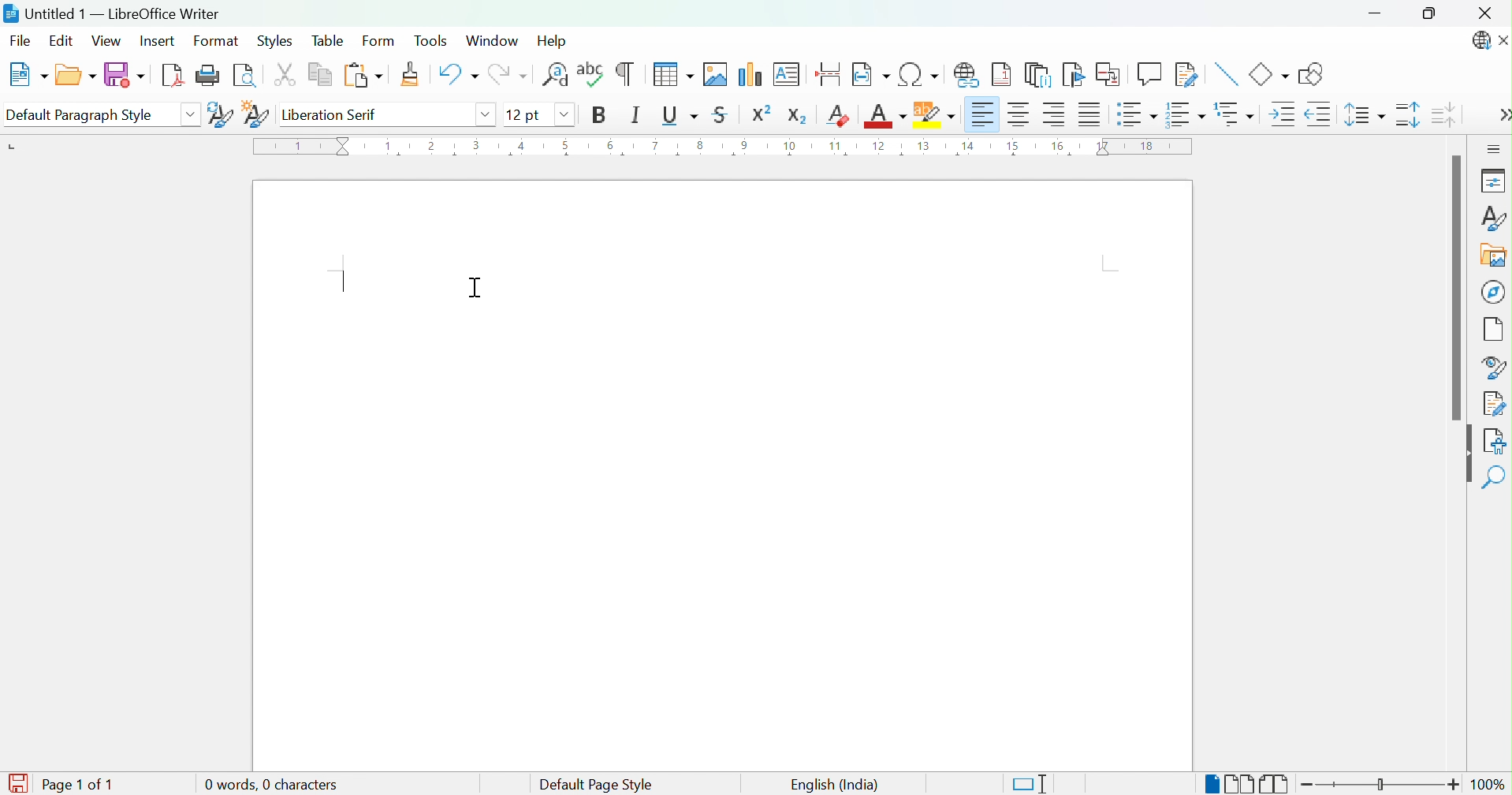 The height and width of the screenshot is (795, 1512). Describe the element at coordinates (840, 115) in the screenshot. I see `Clear Direct Formatting` at that location.